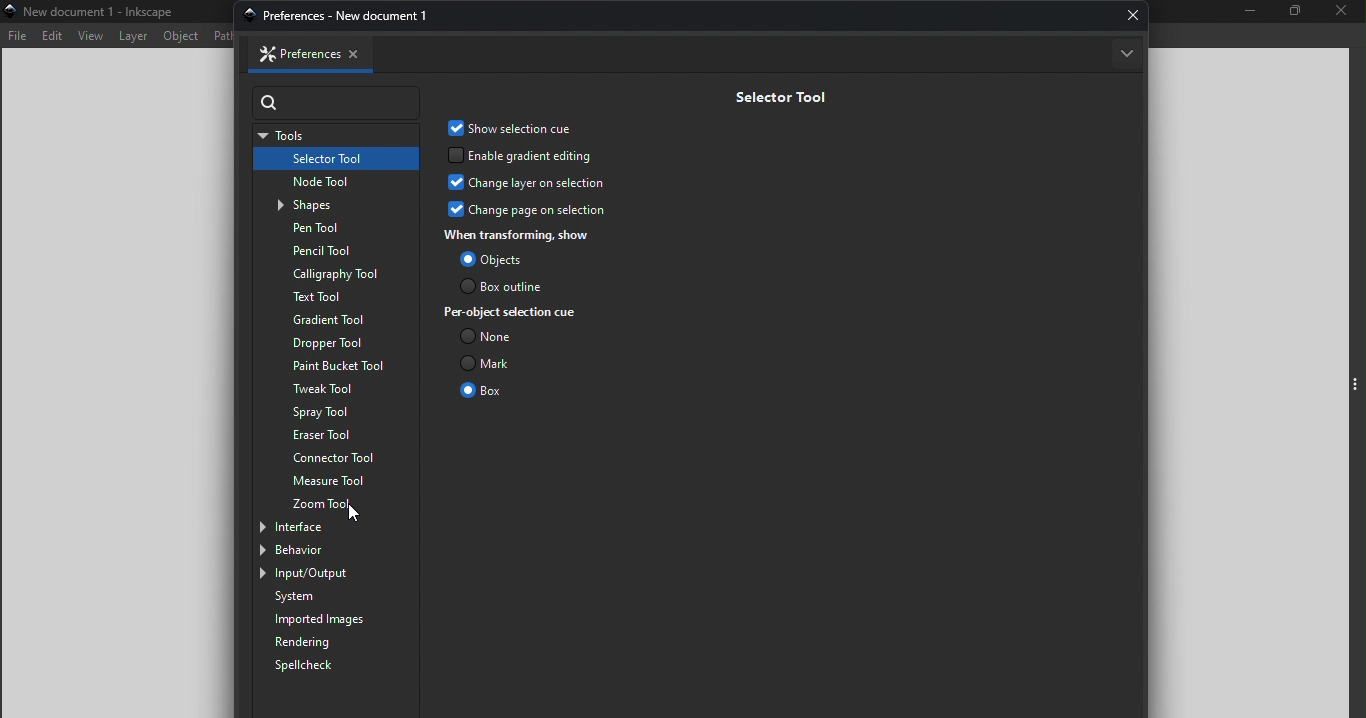  What do you see at coordinates (337, 343) in the screenshot?
I see `Dropper tool` at bounding box center [337, 343].